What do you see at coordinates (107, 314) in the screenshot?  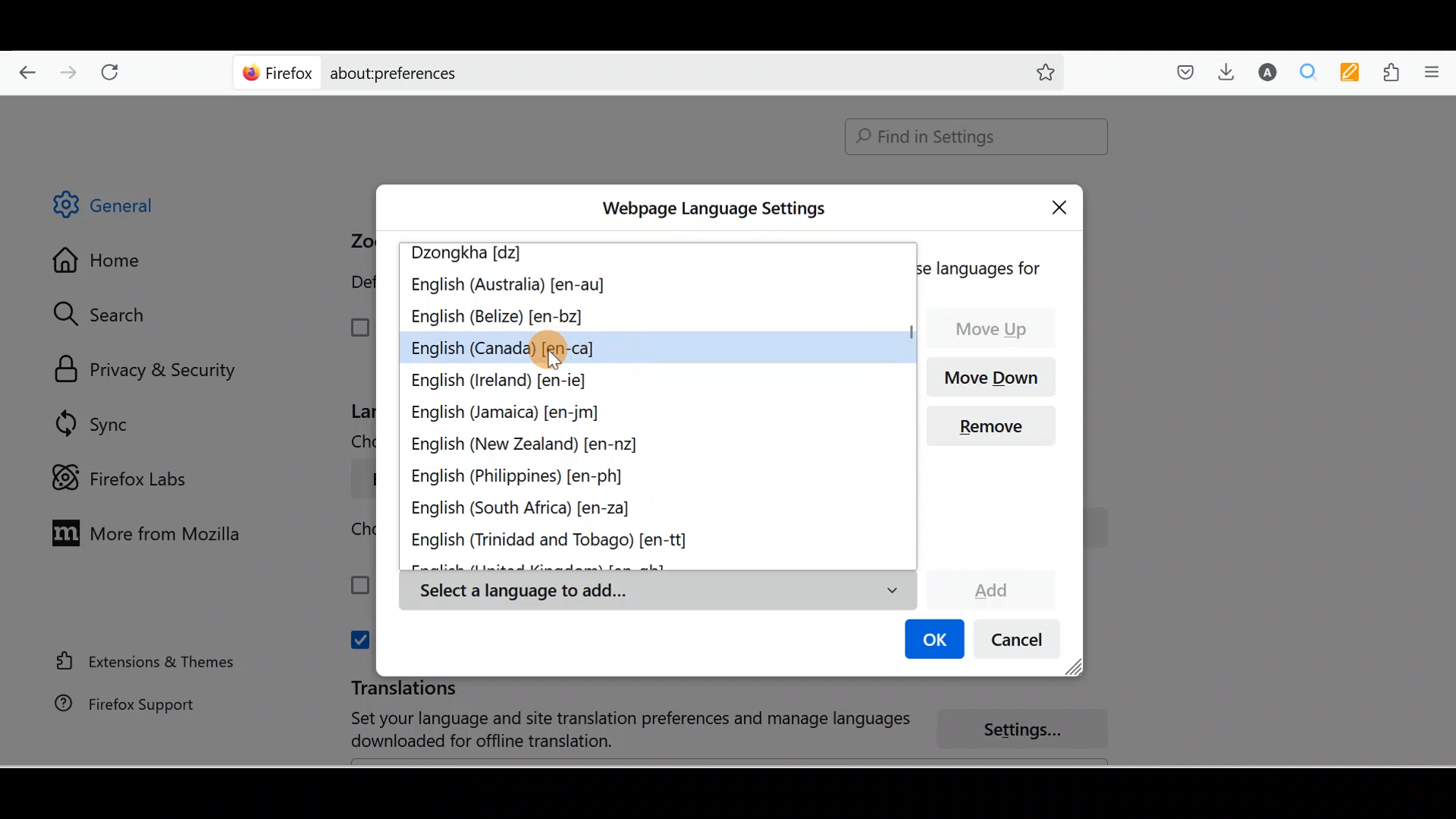 I see `Search` at bounding box center [107, 314].